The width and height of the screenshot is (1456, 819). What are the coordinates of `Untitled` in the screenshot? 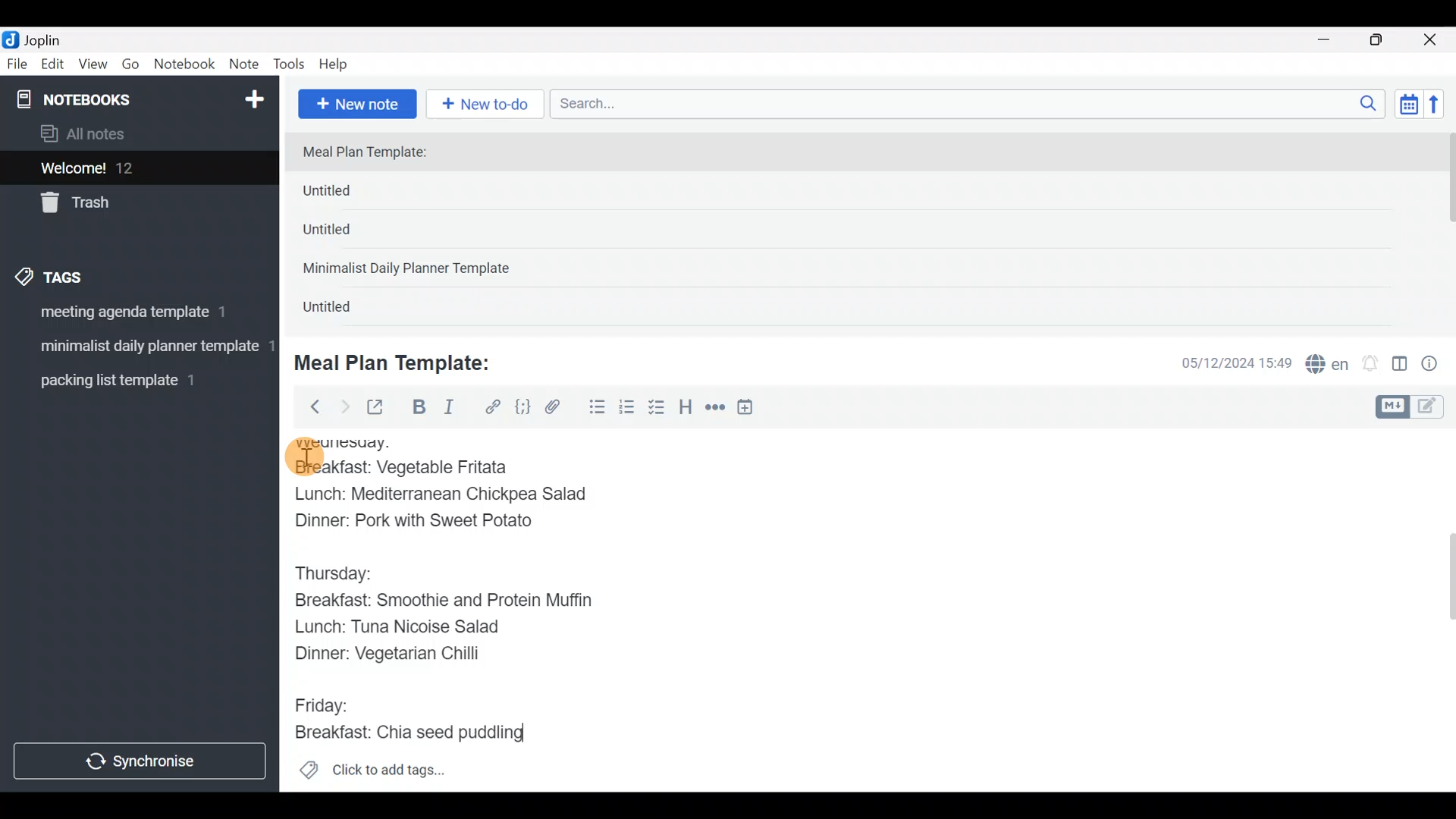 It's located at (352, 194).